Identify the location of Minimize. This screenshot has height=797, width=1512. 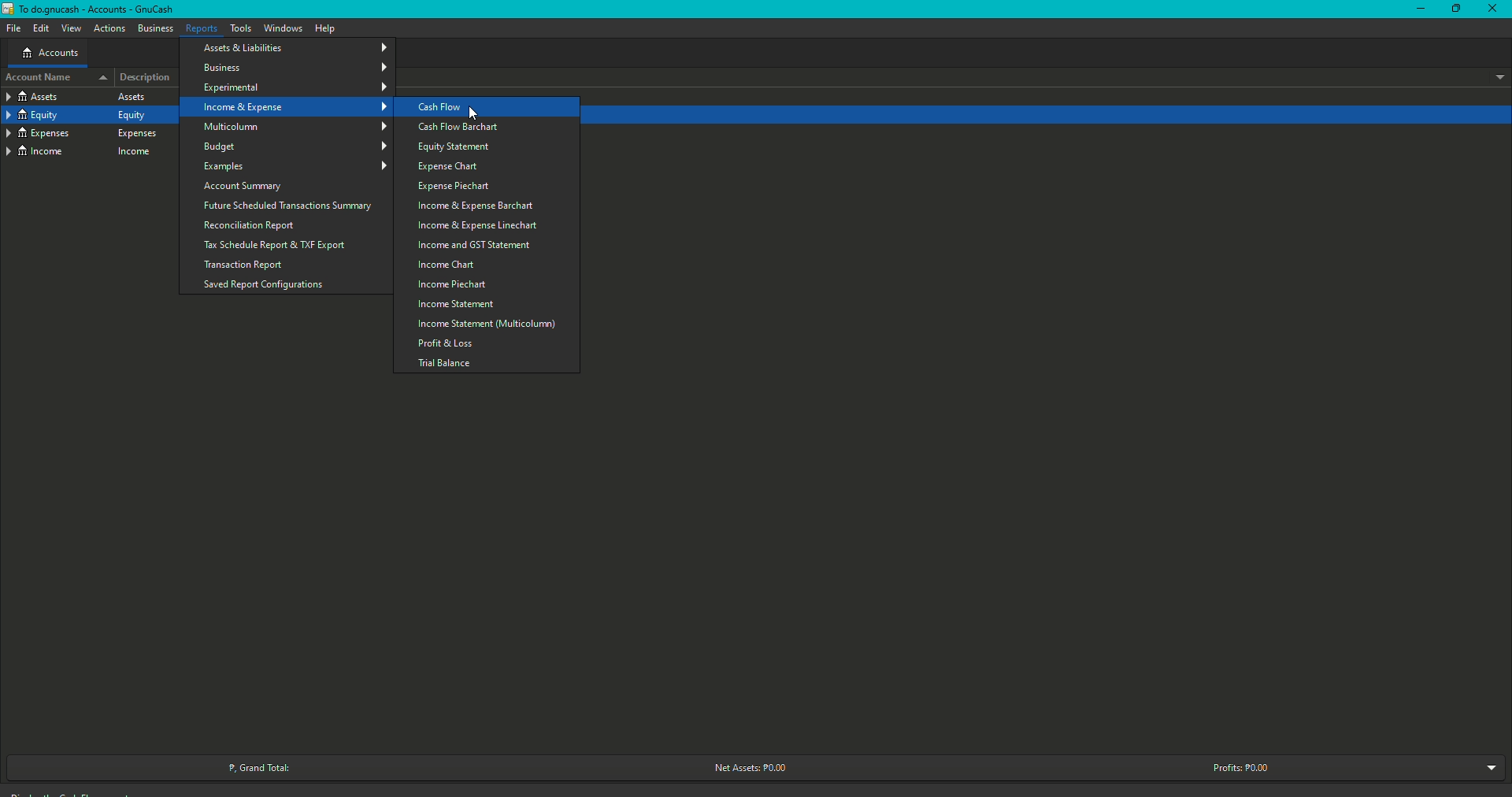
(1454, 11).